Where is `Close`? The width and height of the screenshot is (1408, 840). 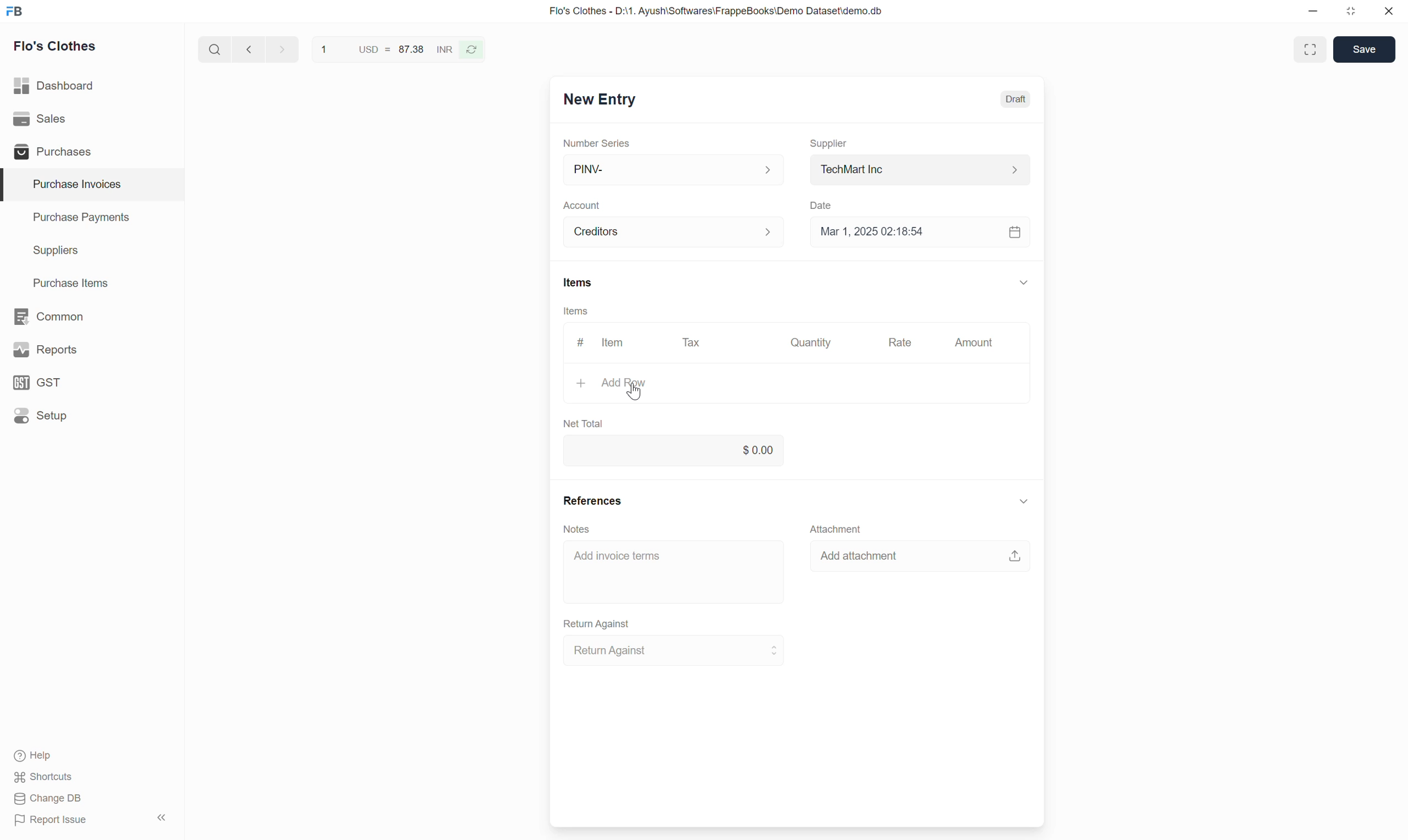
Close is located at coordinates (1389, 11).